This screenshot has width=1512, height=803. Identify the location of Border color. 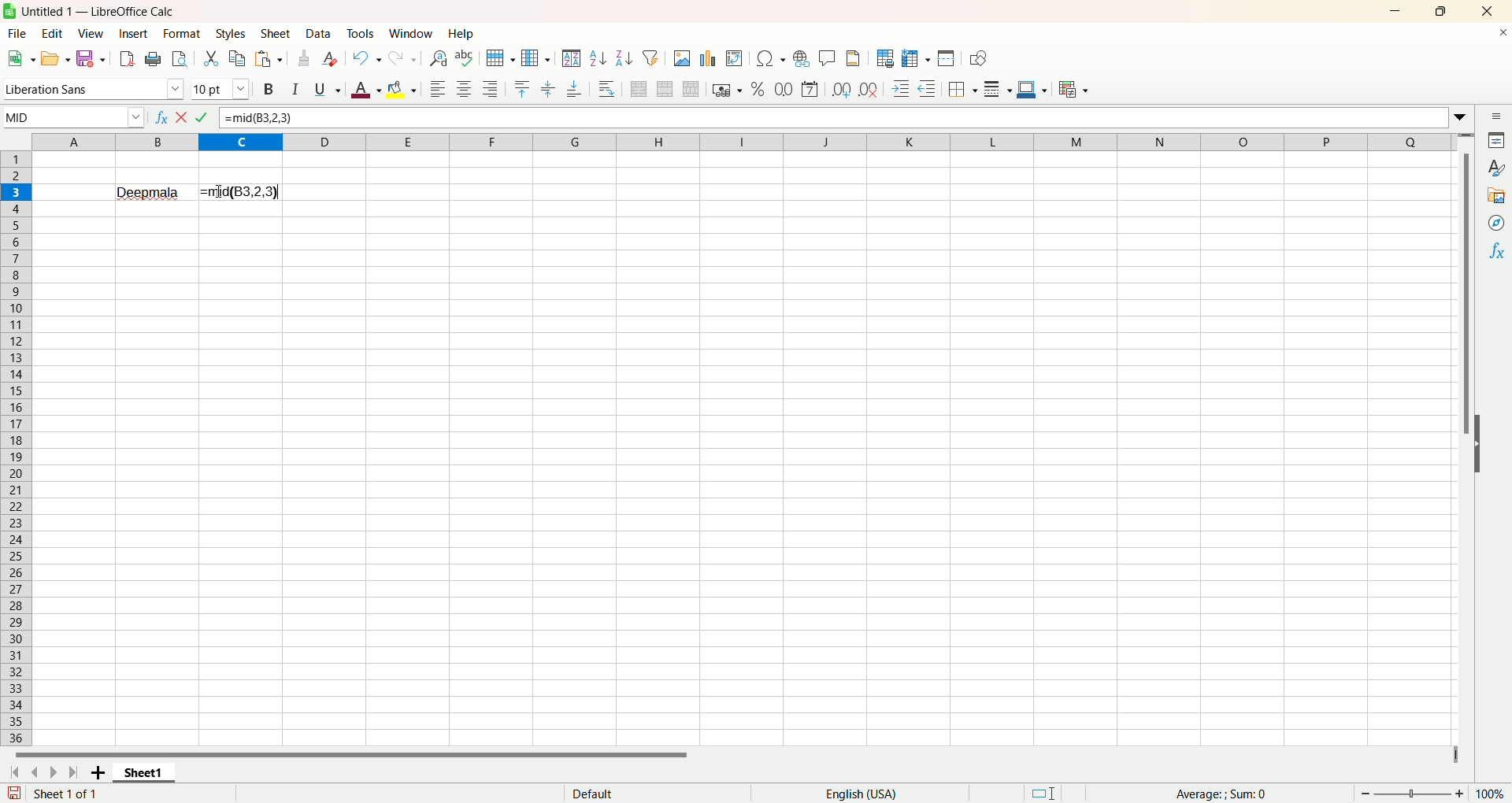
(1032, 89).